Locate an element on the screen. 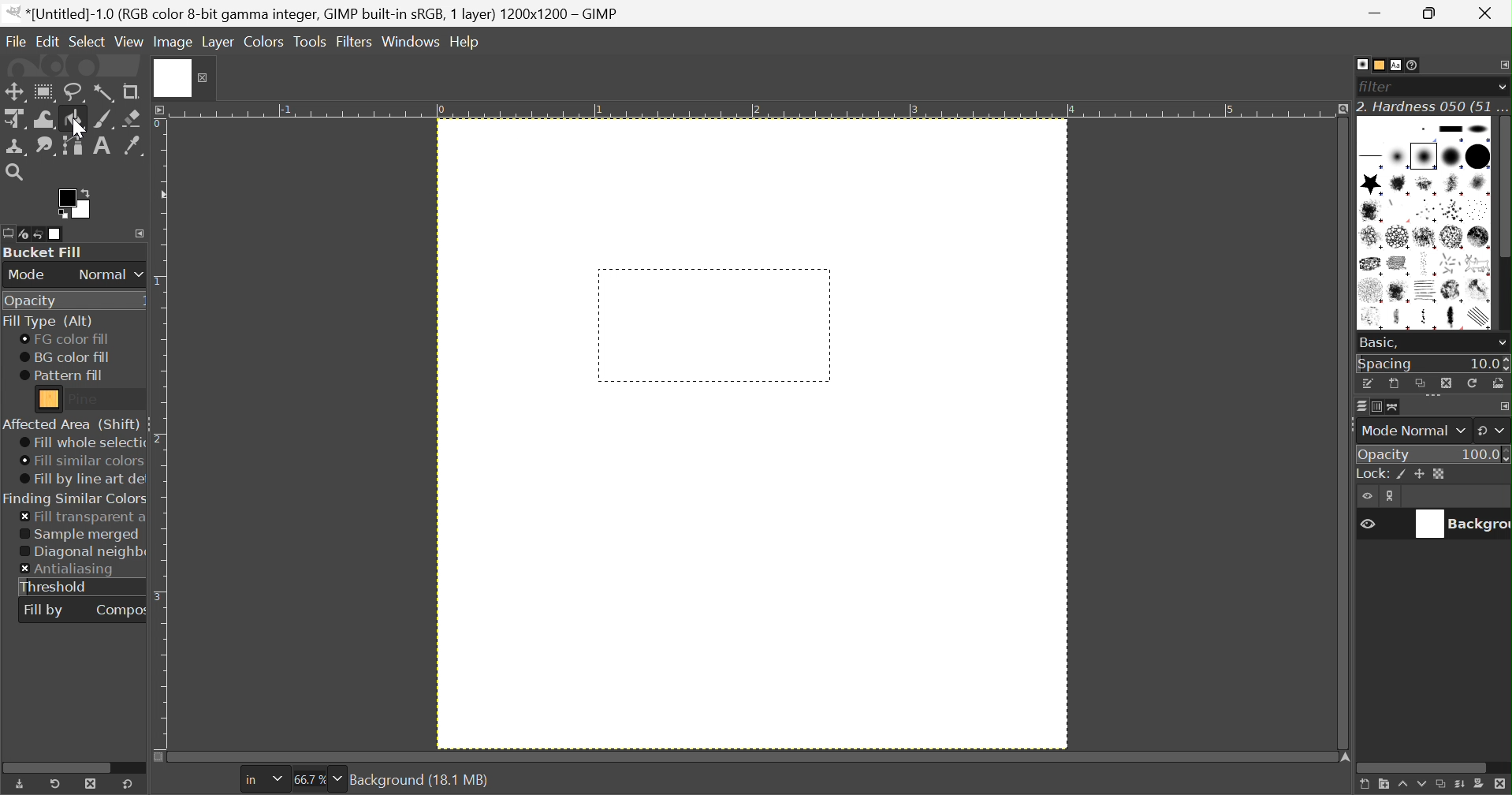 The image size is (1512, 795). Clipboard Image is located at coordinates (1374, 130).